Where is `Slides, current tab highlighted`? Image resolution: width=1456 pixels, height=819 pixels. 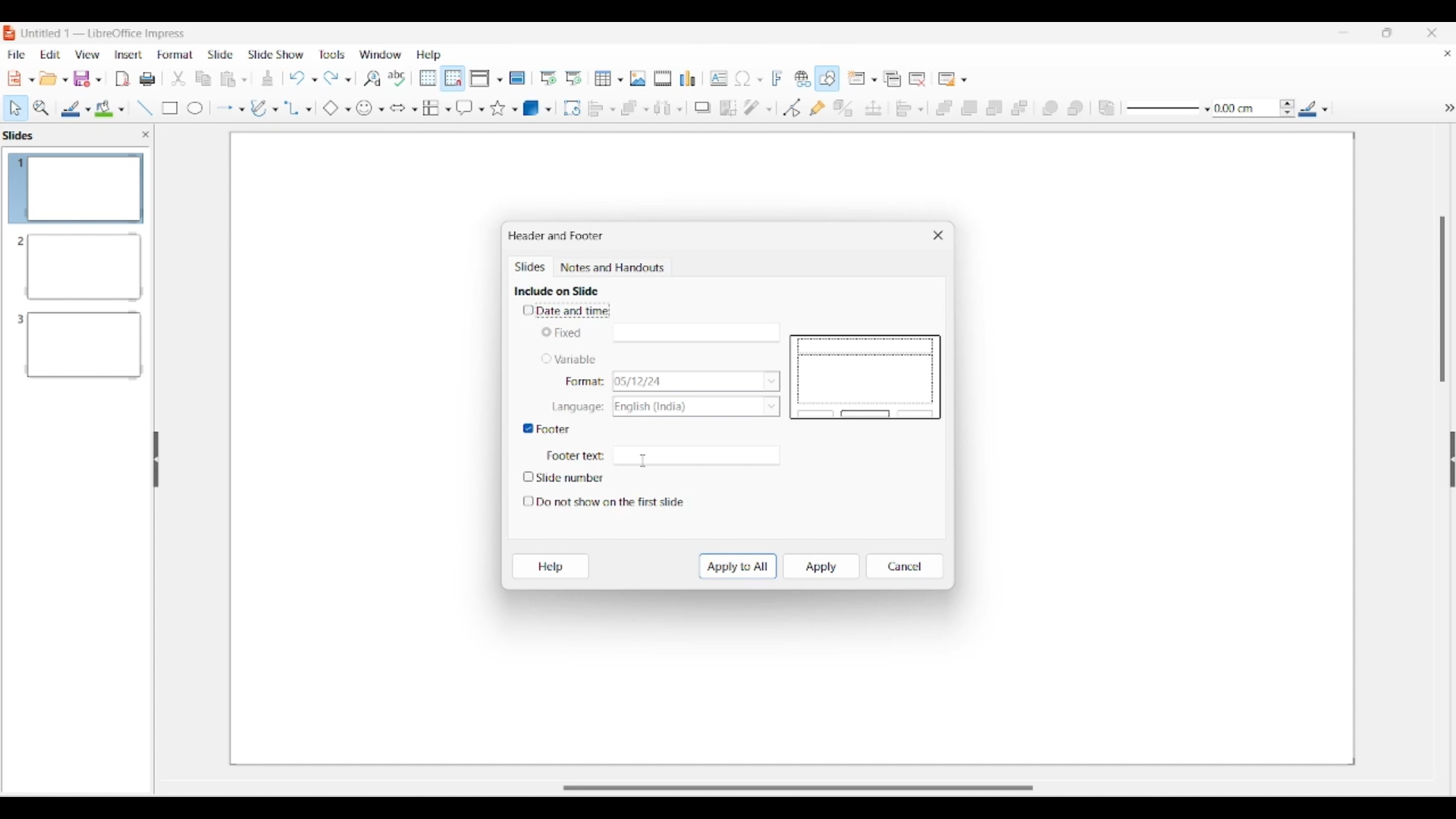 Slides, current tab highlighted is located at coordinates (532, 268).